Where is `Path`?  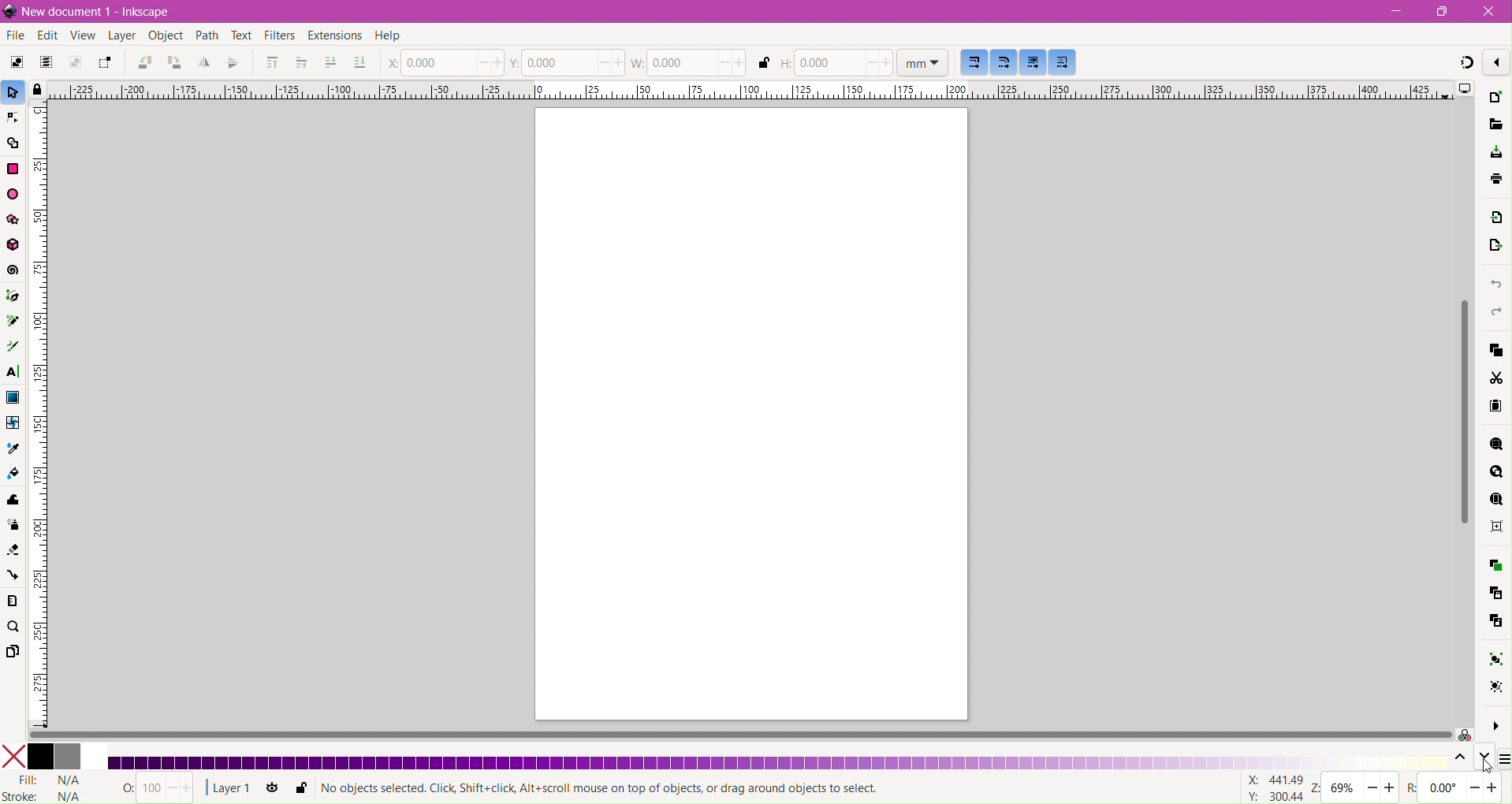 Path is located at coordinates (205, 37).